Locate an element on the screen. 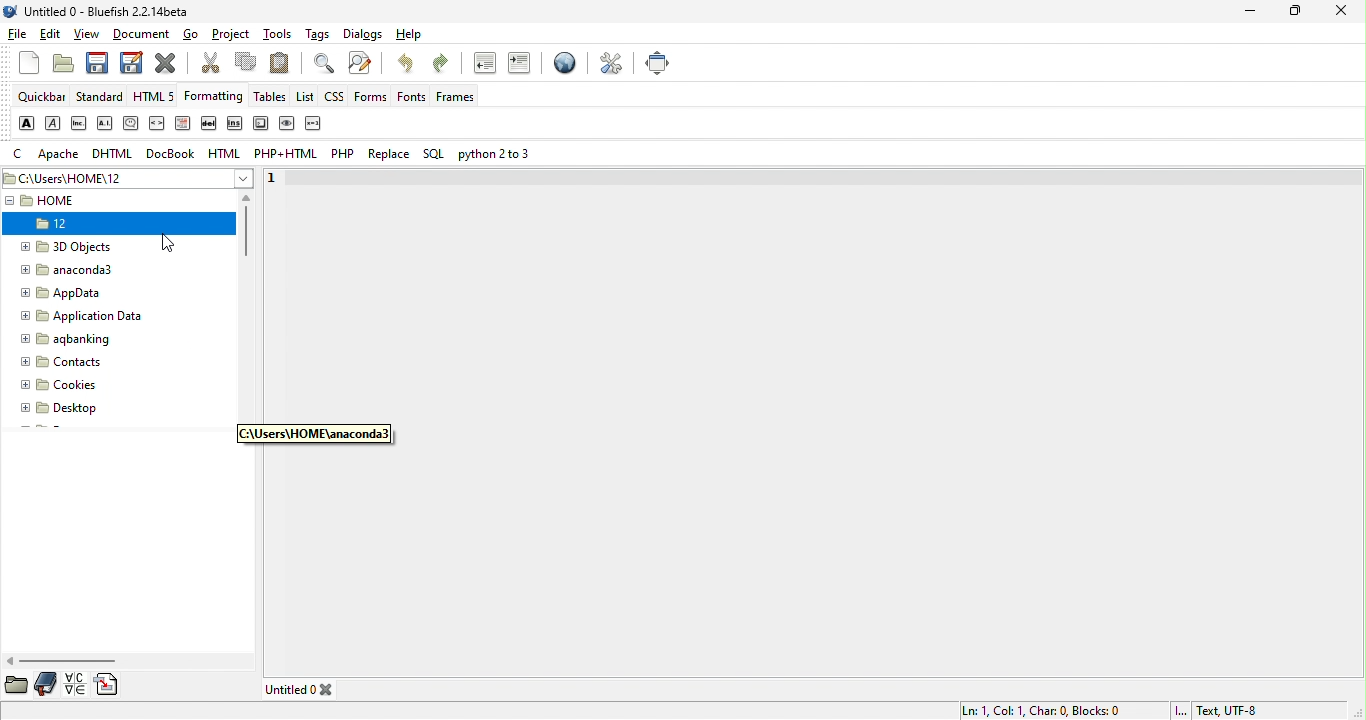  html5 is located at coordinates (156, 97).